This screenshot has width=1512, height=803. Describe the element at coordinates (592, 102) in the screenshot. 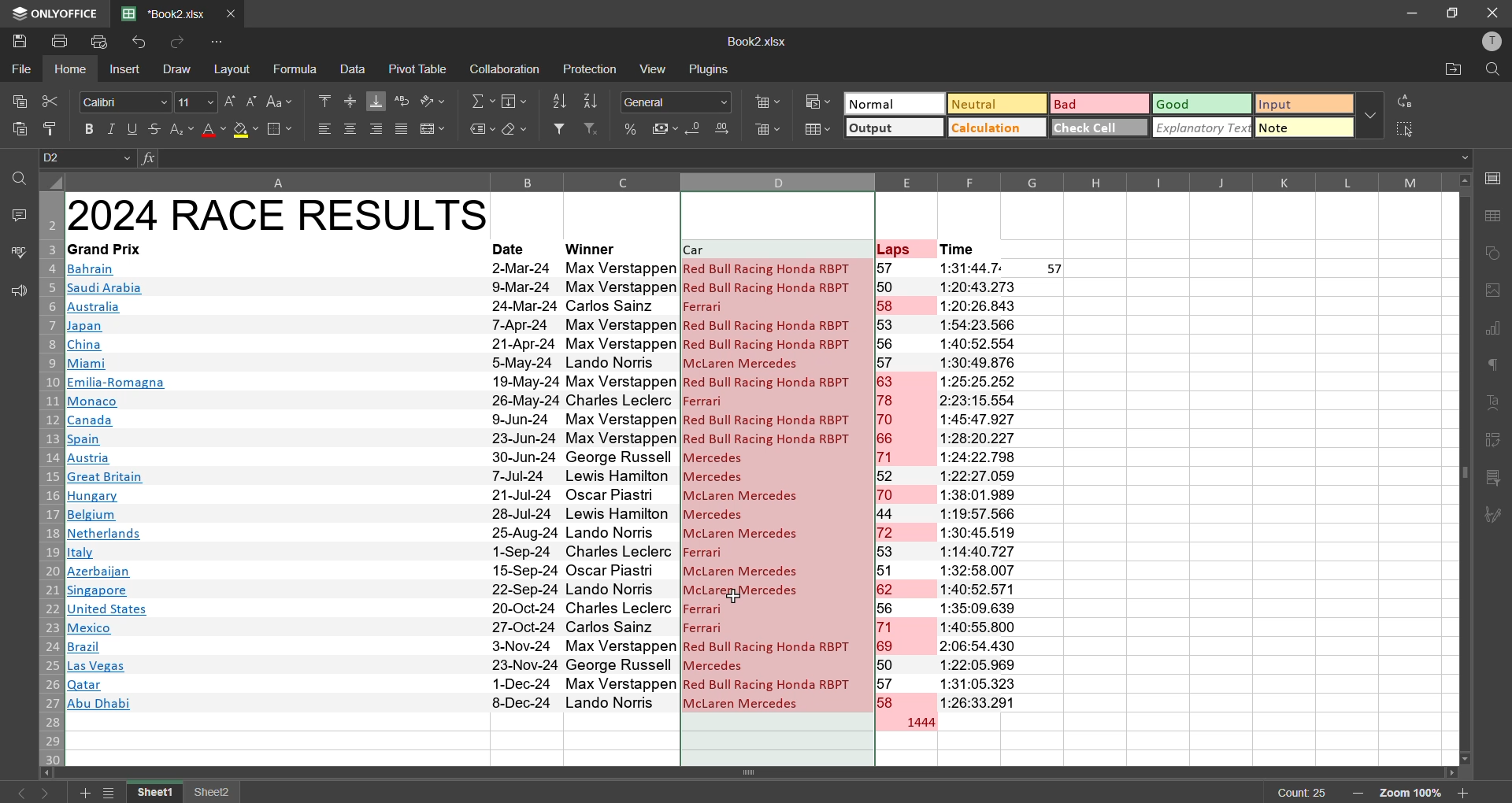

I see `sort descending` at that location.